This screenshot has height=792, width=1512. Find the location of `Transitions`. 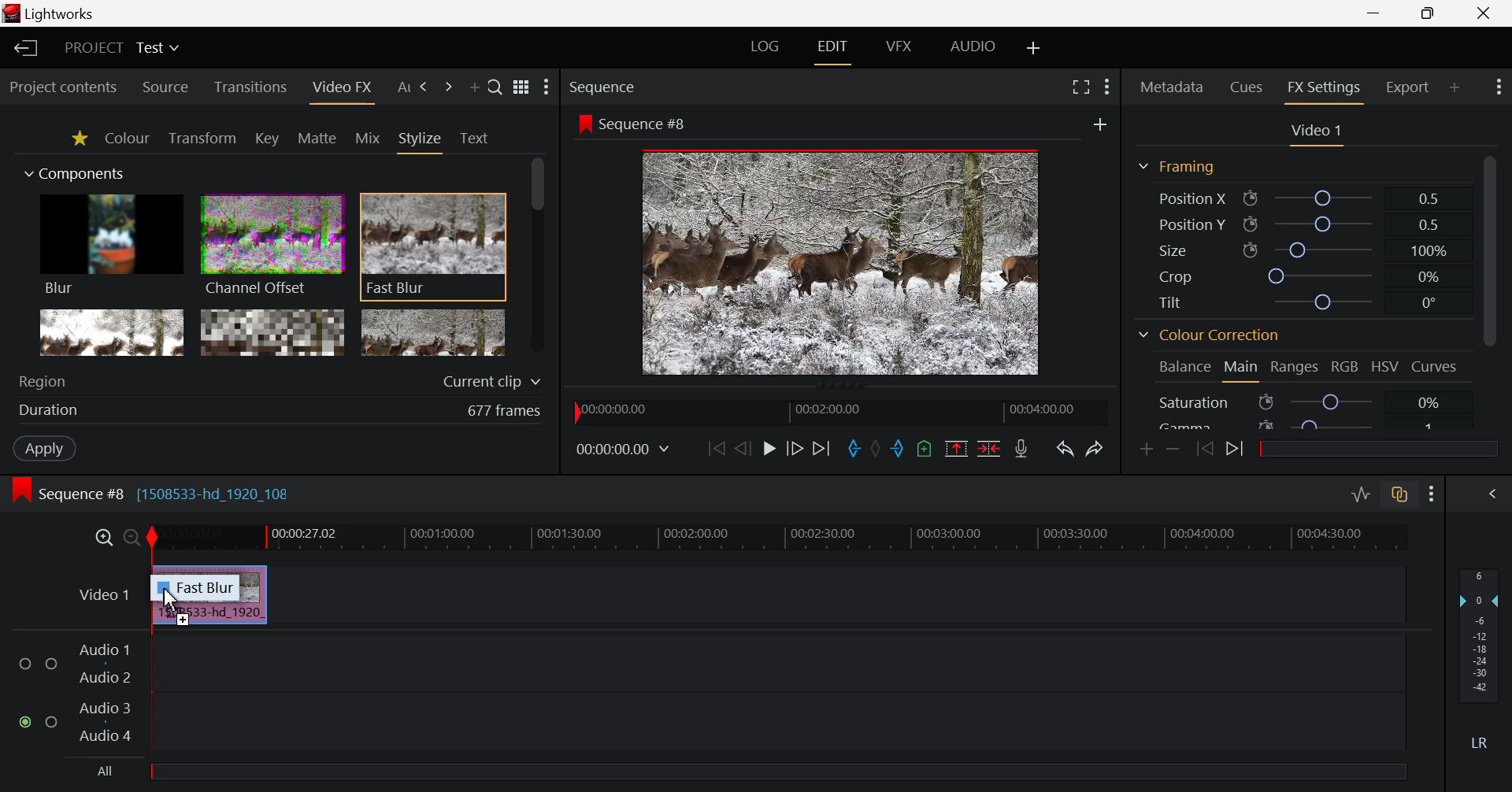

Transitions is located at coordinates (261, 88).